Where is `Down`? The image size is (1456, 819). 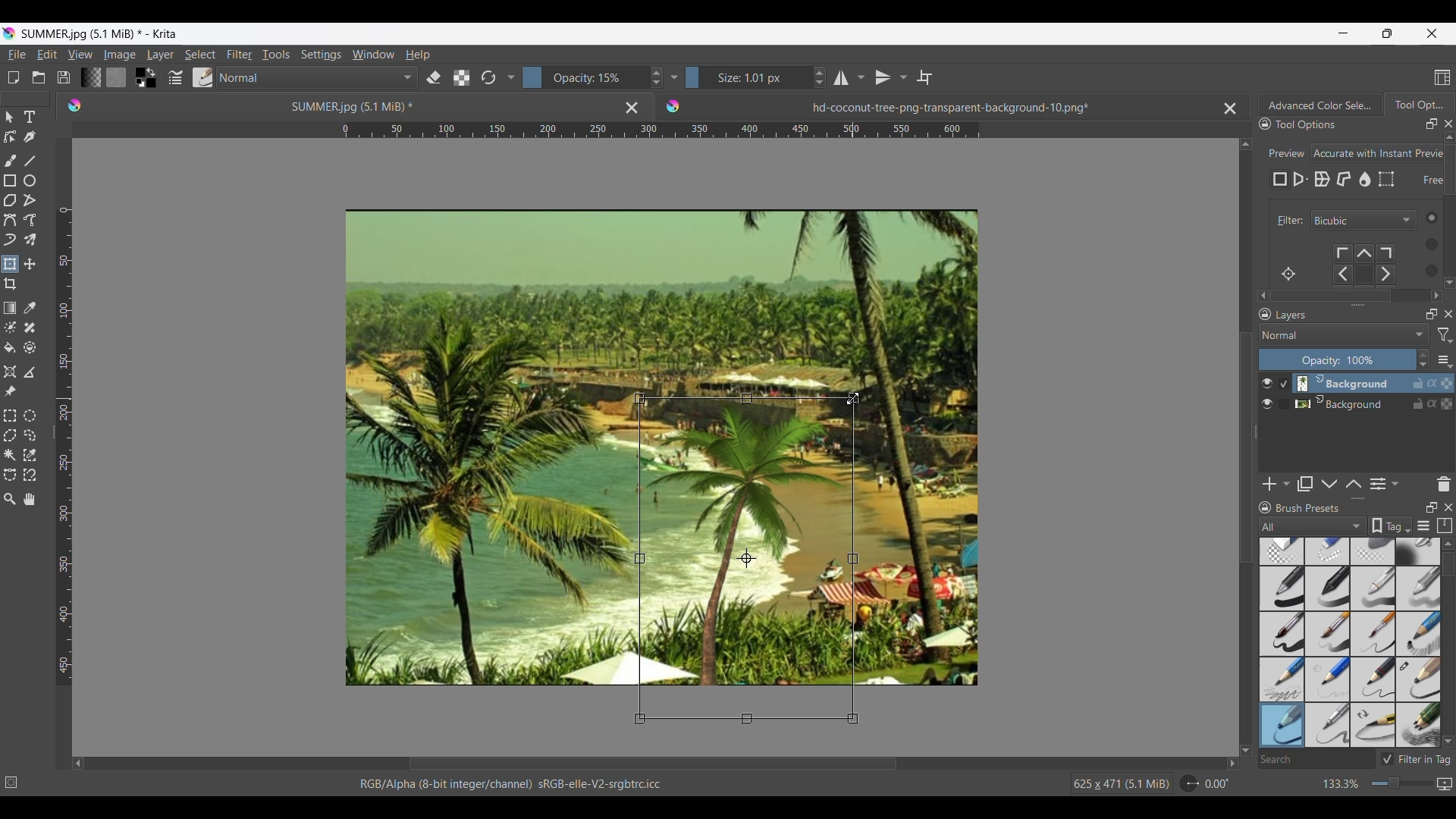
Down is located at coordinates (1448, 741).